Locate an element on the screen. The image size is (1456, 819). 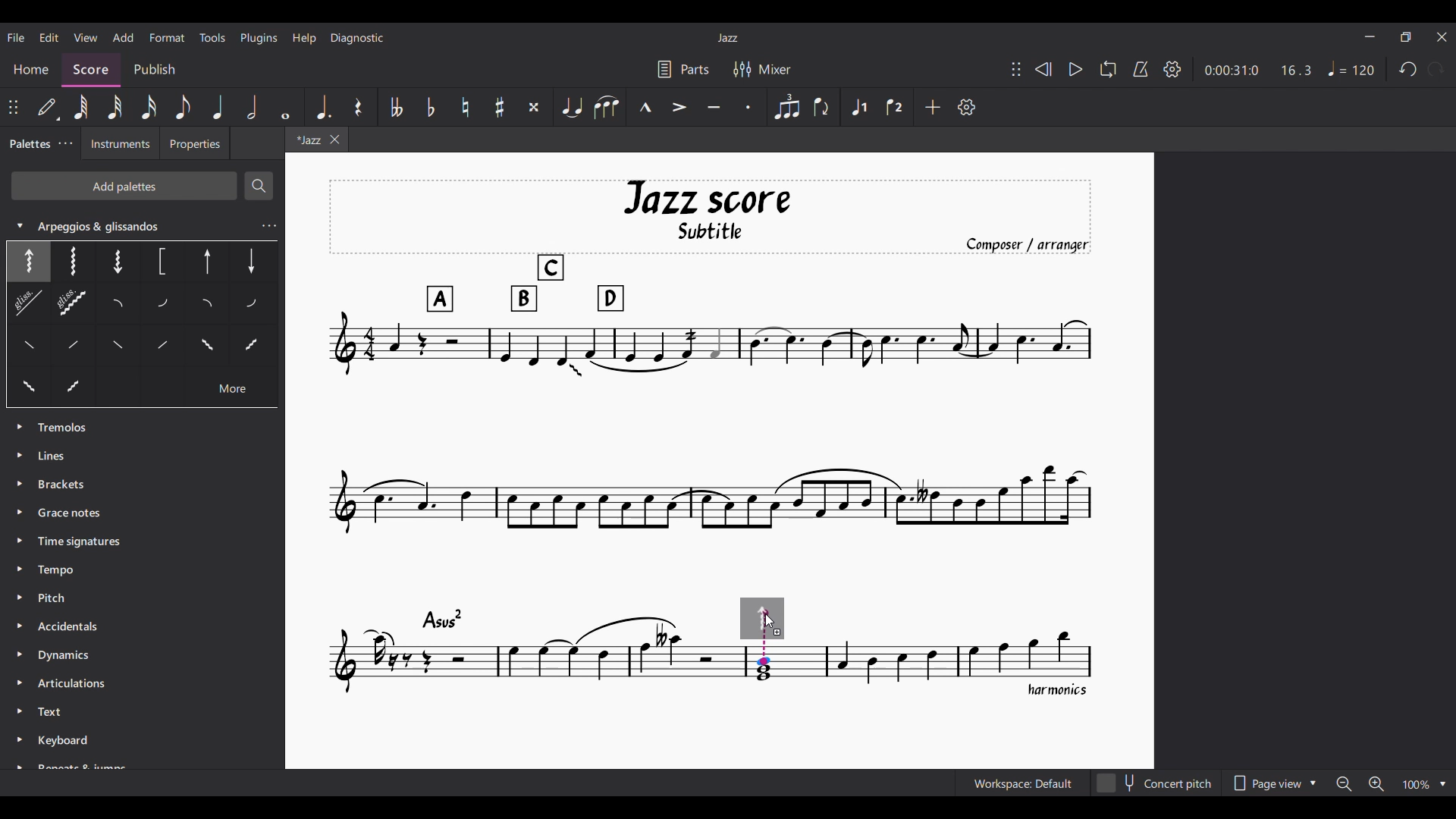
Add menu is located at coordinates (124, 38).